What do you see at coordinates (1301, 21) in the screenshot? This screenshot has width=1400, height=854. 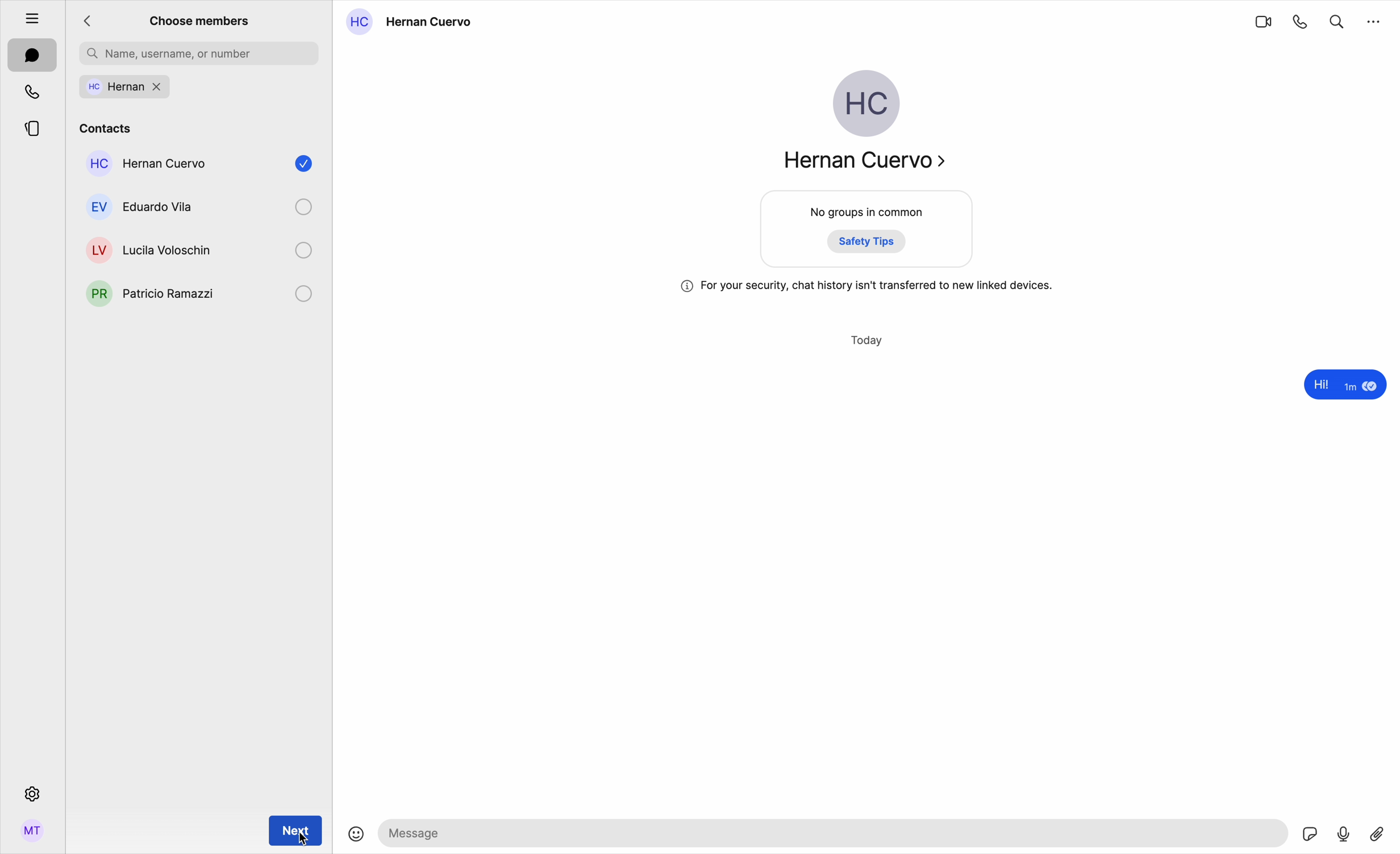 I see `call` at bounding box center [1301, 21].